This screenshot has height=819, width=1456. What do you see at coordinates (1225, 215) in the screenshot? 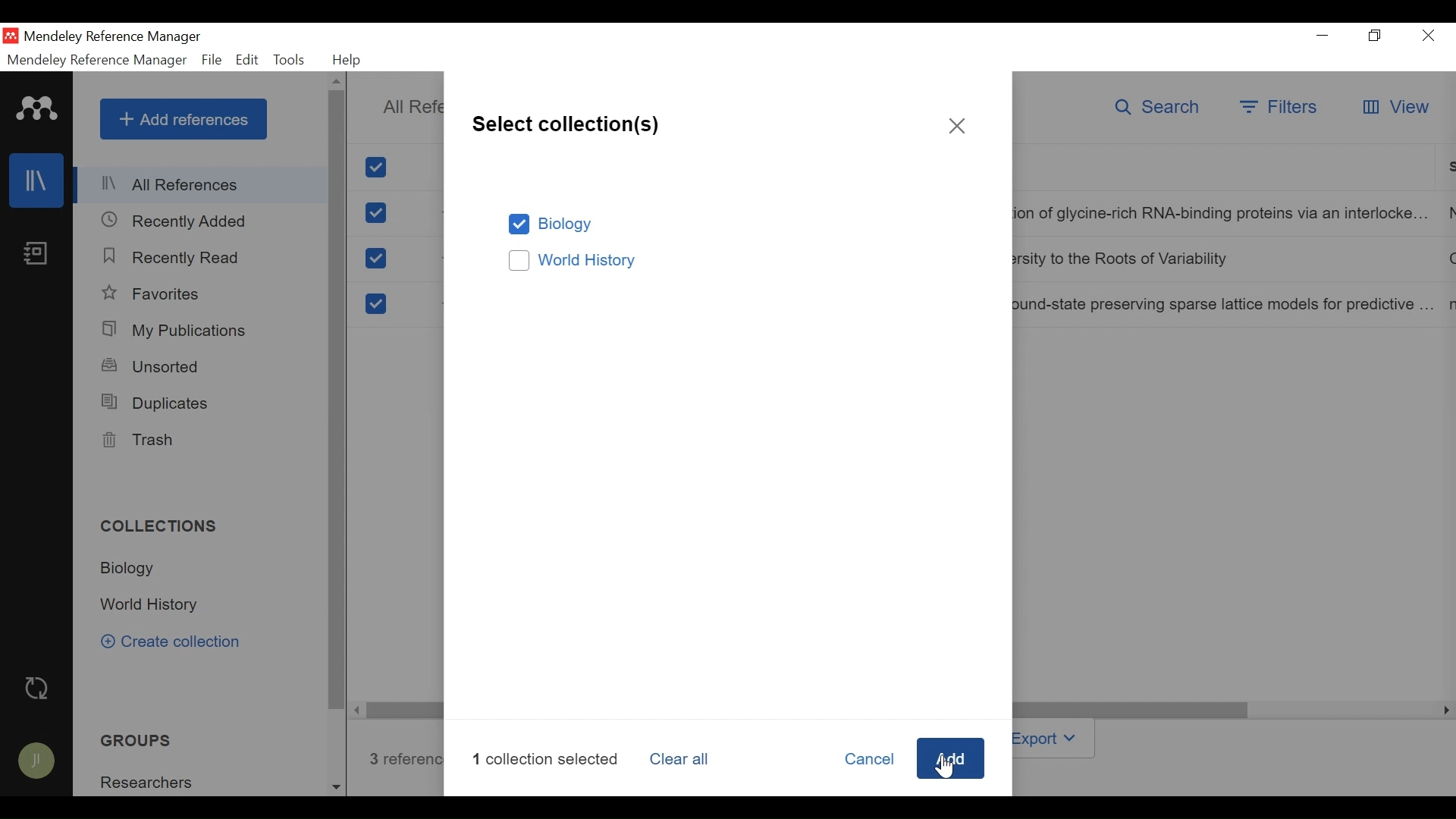
I see `Journal title` at bounding box center [1225, 215].